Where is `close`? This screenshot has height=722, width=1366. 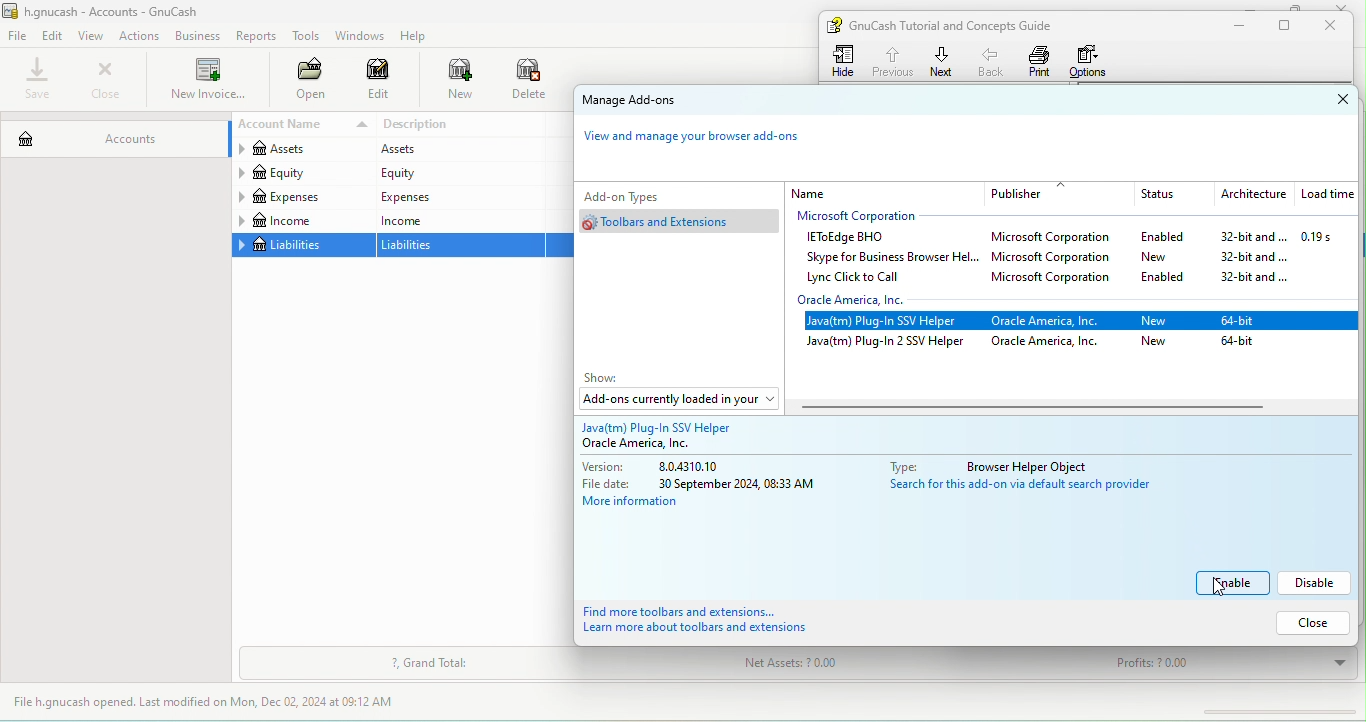
close is located at coordinates (1309, 622).